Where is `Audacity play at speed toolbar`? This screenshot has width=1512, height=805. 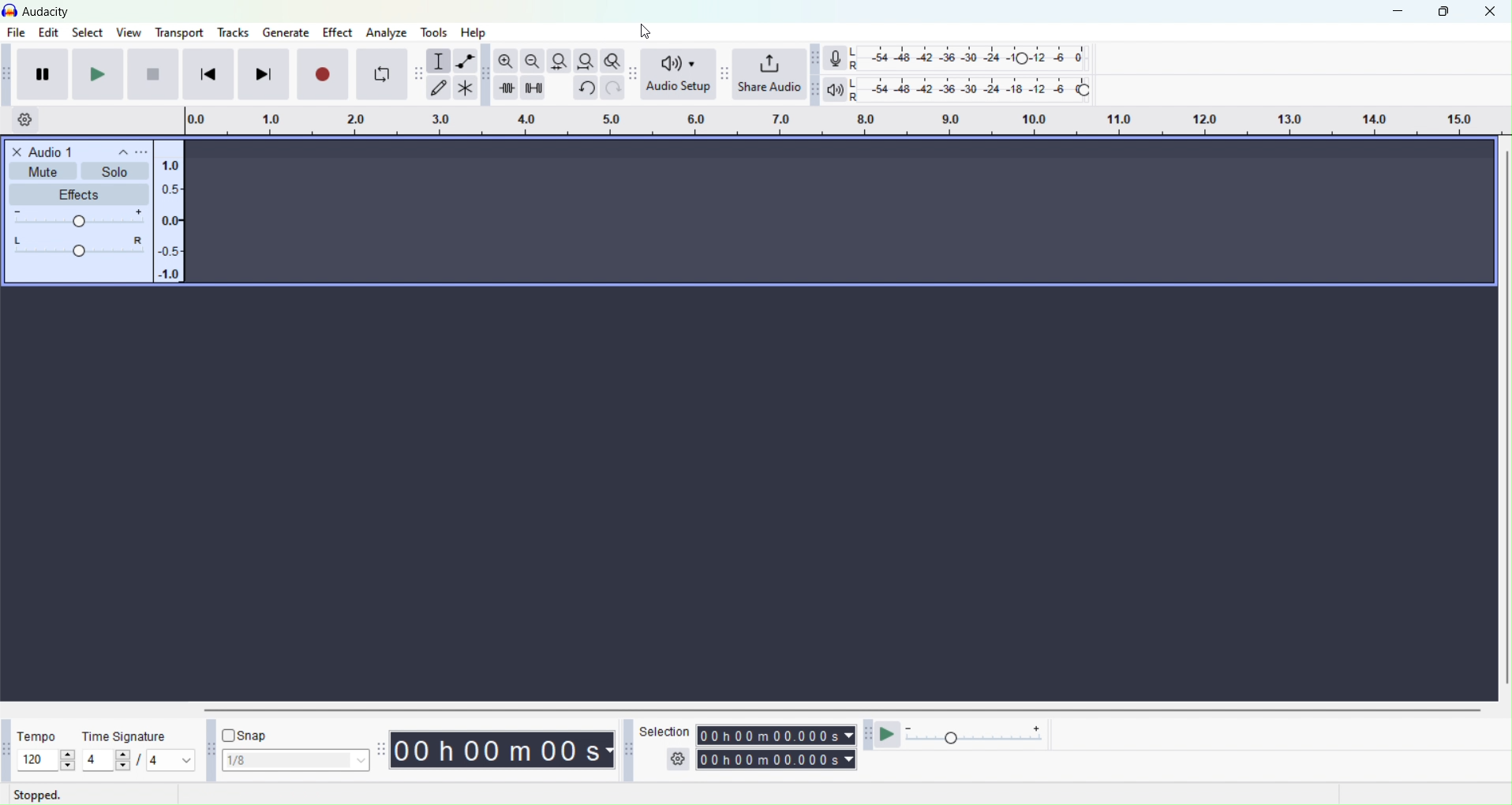
Audacity play at speed toolbar is located at coordinates (866, 738).